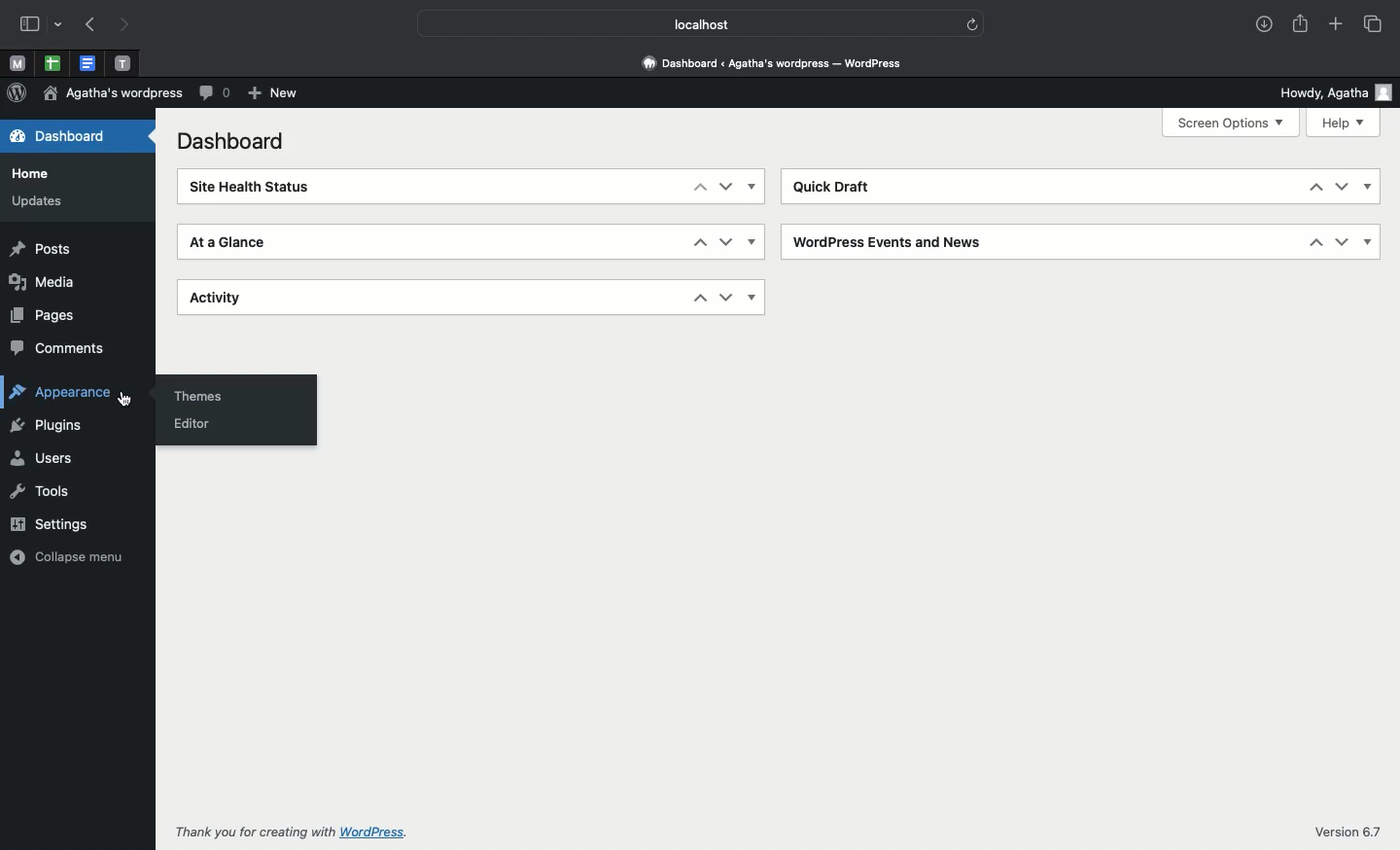 The image size is (1400, 850). Describe the element at coordinates (259, 187) in the screenshot. I see `Site health status` at that location.